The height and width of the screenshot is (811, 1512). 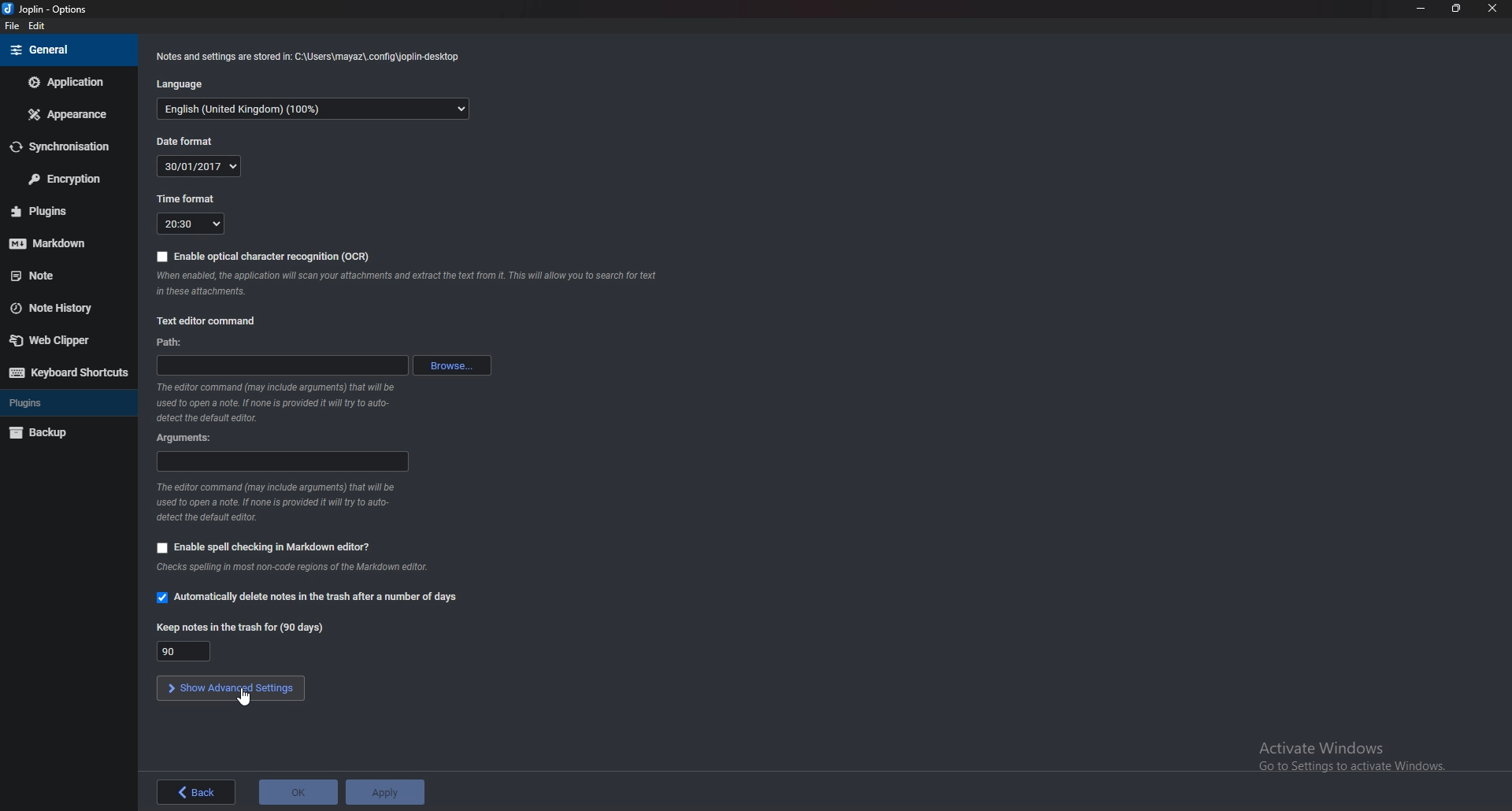 I want to click on general, so click(x=67, y=50).